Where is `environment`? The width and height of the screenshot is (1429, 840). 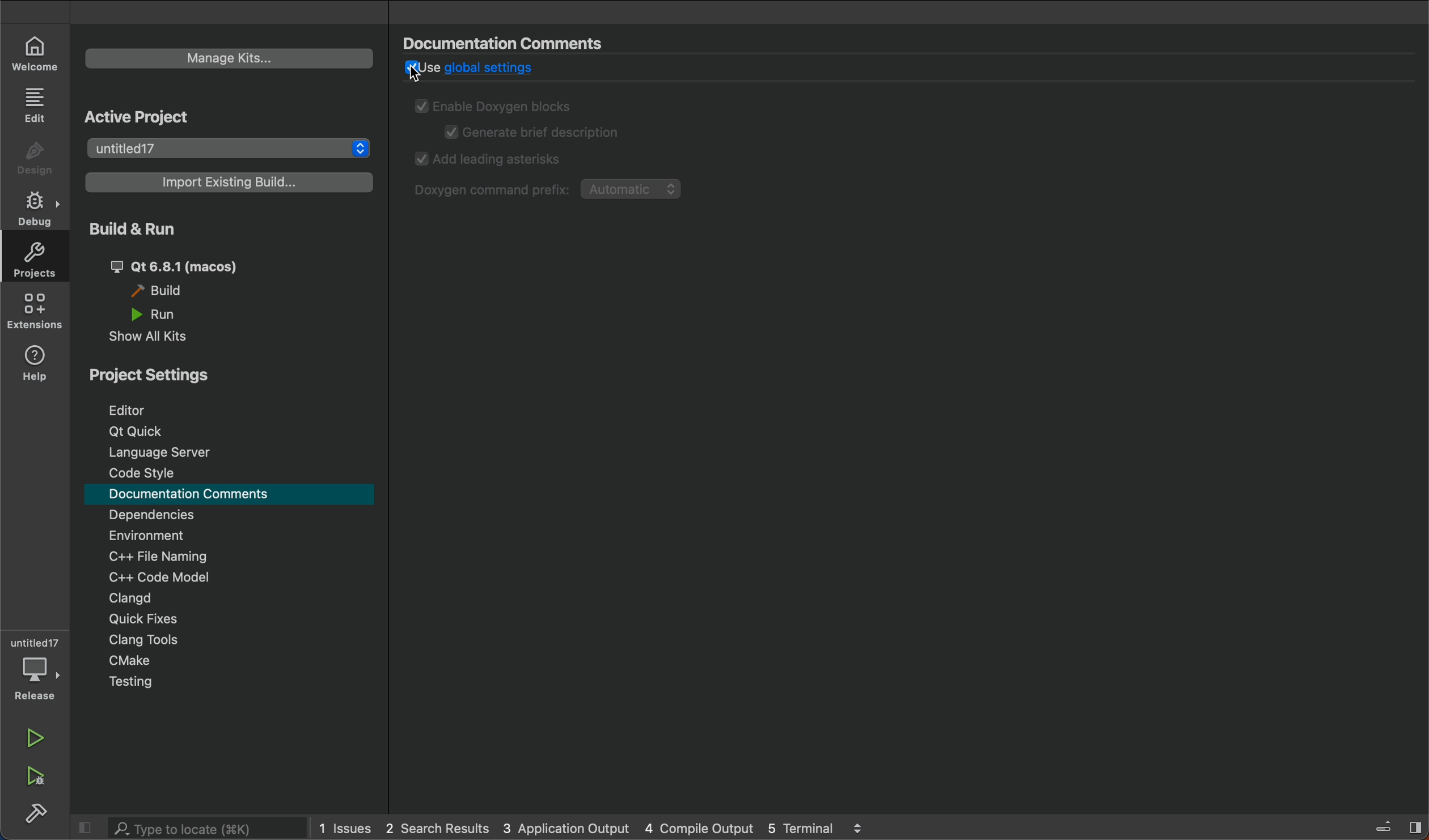 environment is located at coordinates (147, 534).